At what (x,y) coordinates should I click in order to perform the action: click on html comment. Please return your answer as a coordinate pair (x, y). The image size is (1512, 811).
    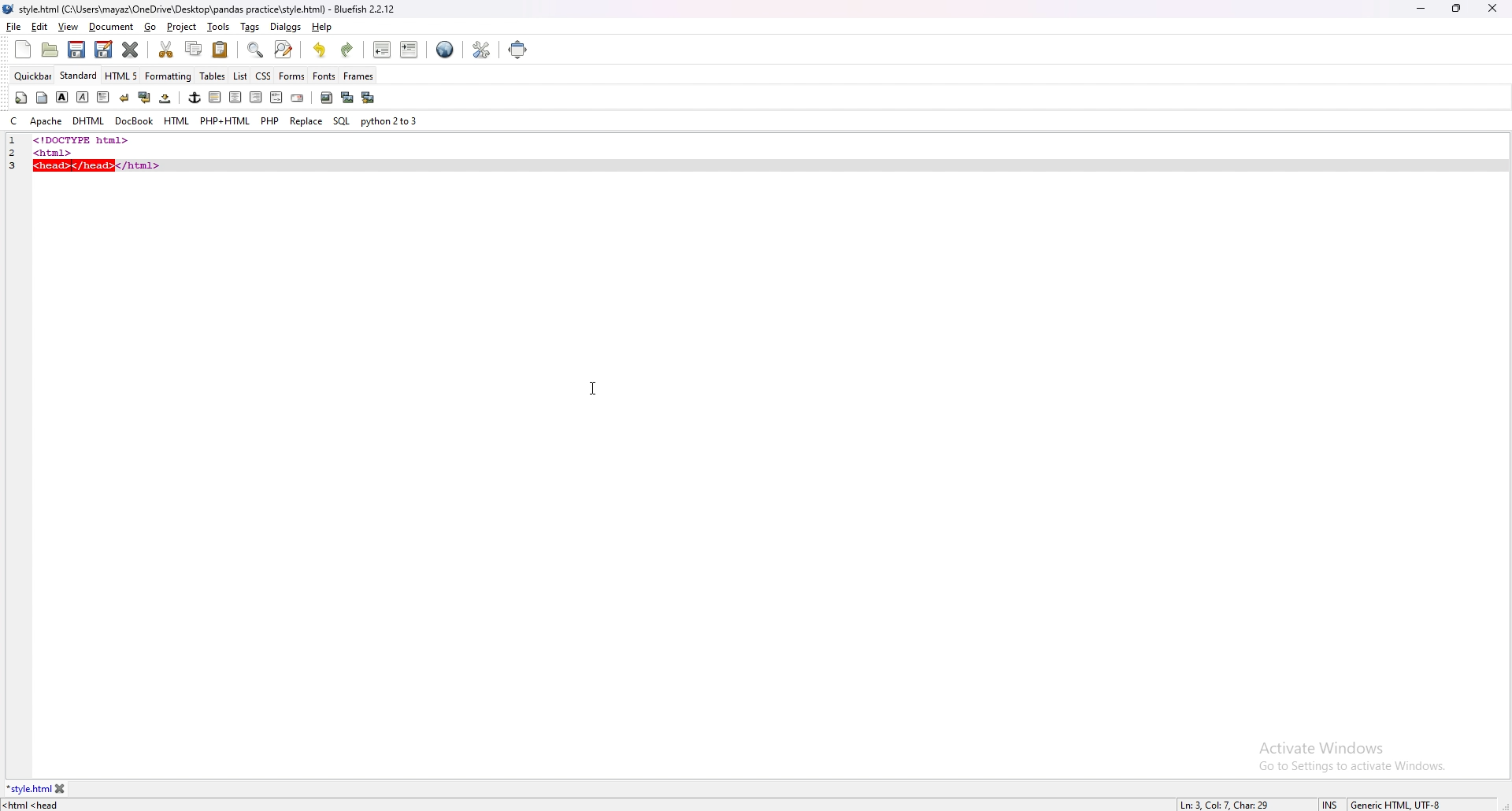
    Looking at the image, I should click on (276, 98).